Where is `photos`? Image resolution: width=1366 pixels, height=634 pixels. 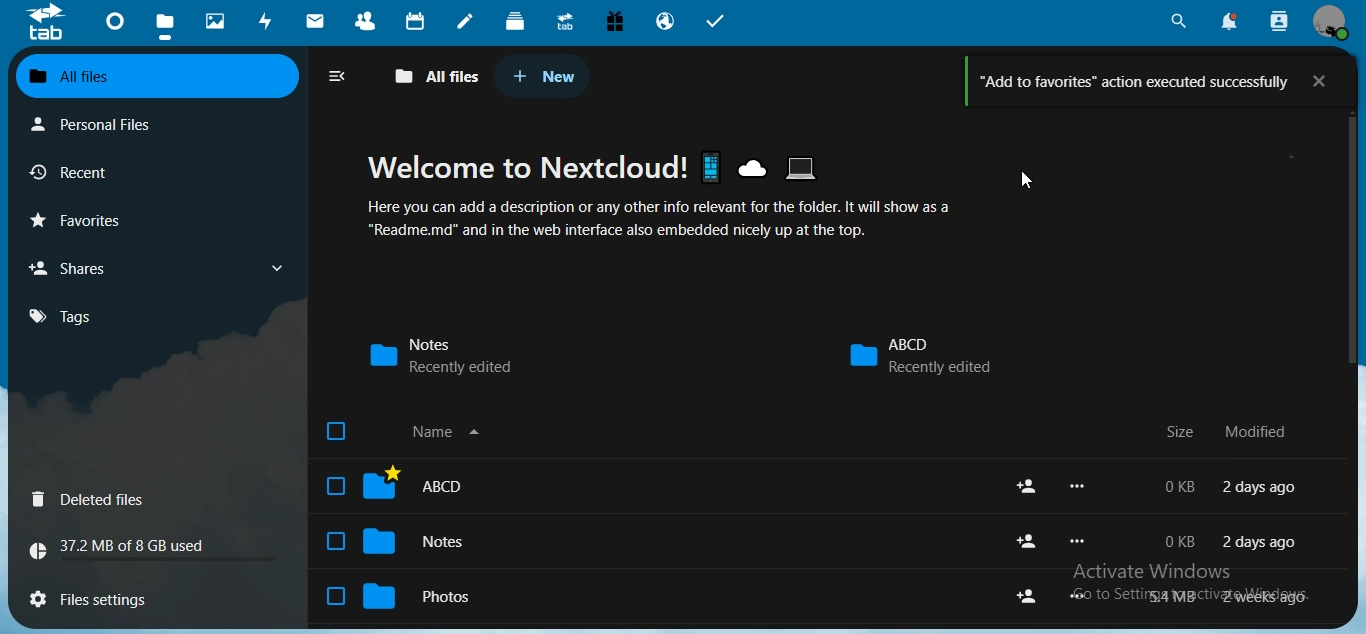
photos is located at coordinates (410, 594).